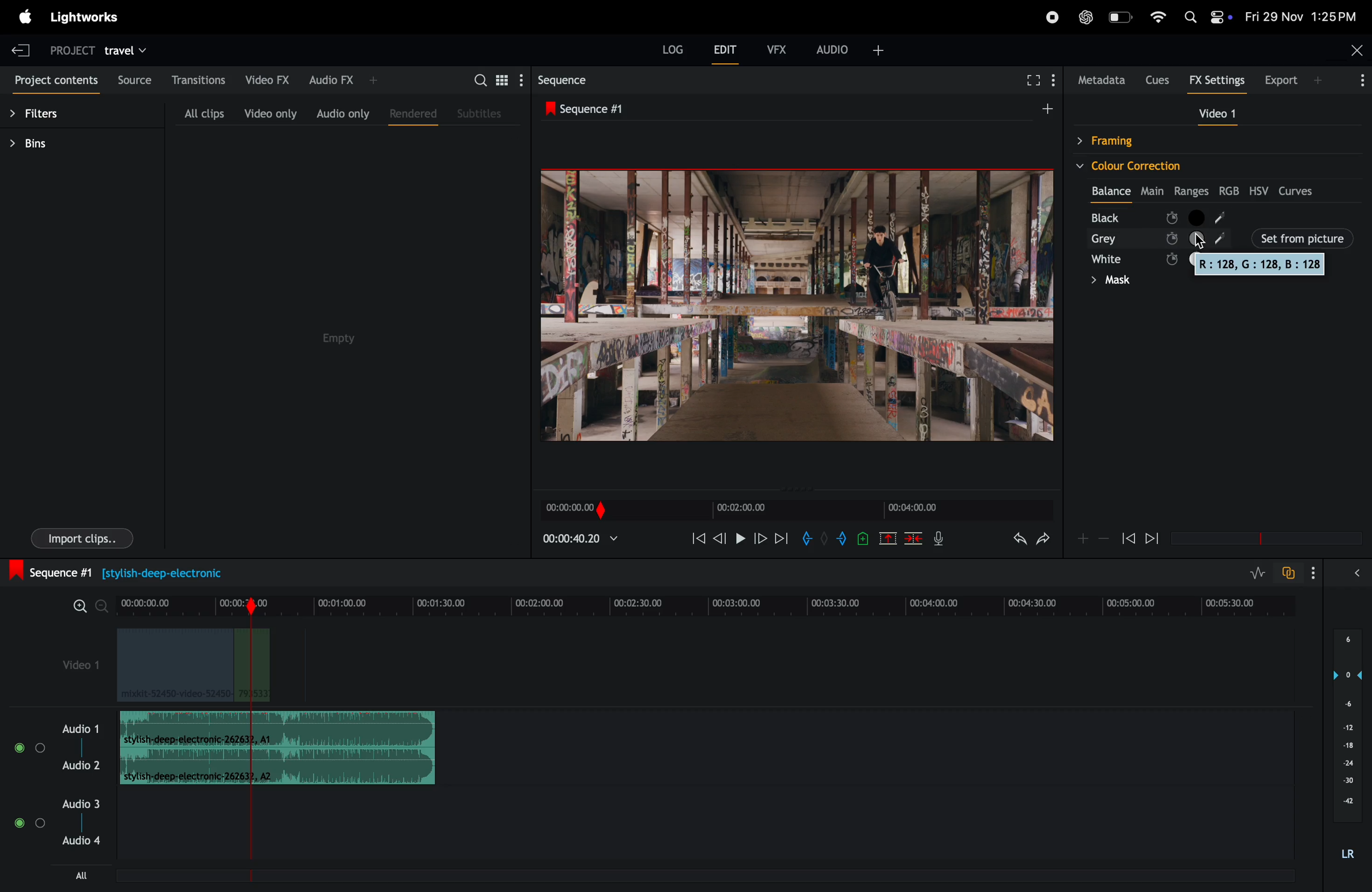  I want to click on More Info, so click(1363, 84).